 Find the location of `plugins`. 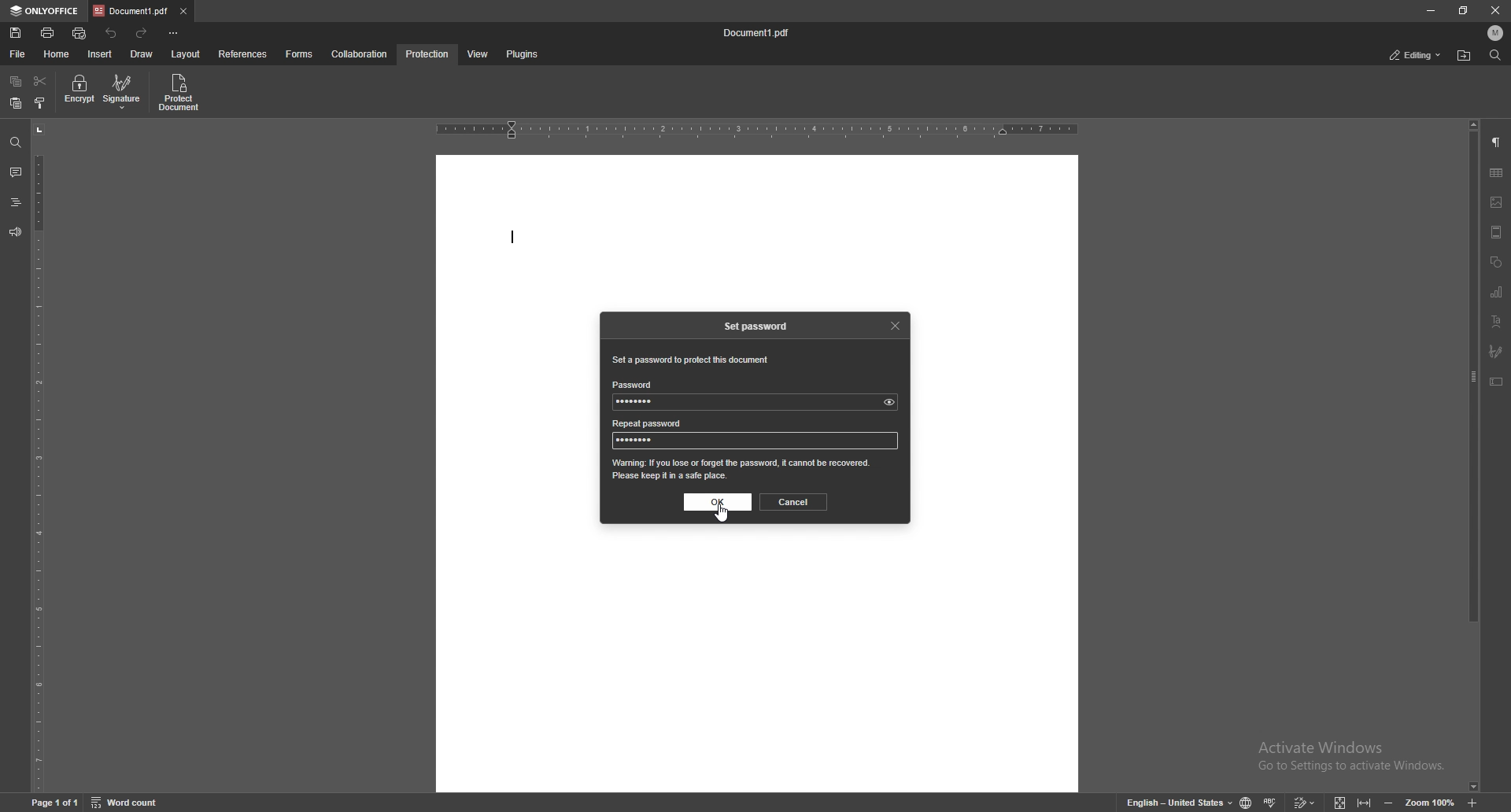

plugins is located at coordinates (524, 54).